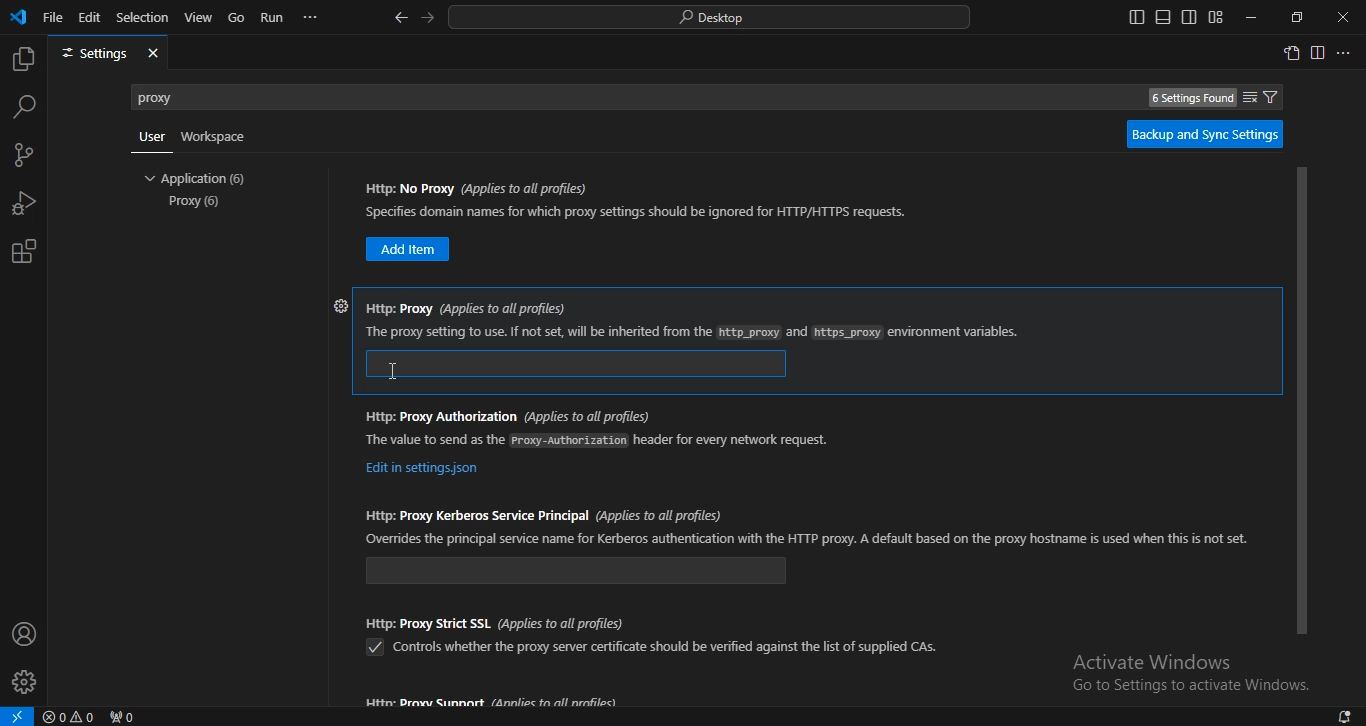 This screenshot has width=1366, height=726. Describe the element at coordinates (423, 469) in the screenshot. I see `https: proxy authorization` at that location.